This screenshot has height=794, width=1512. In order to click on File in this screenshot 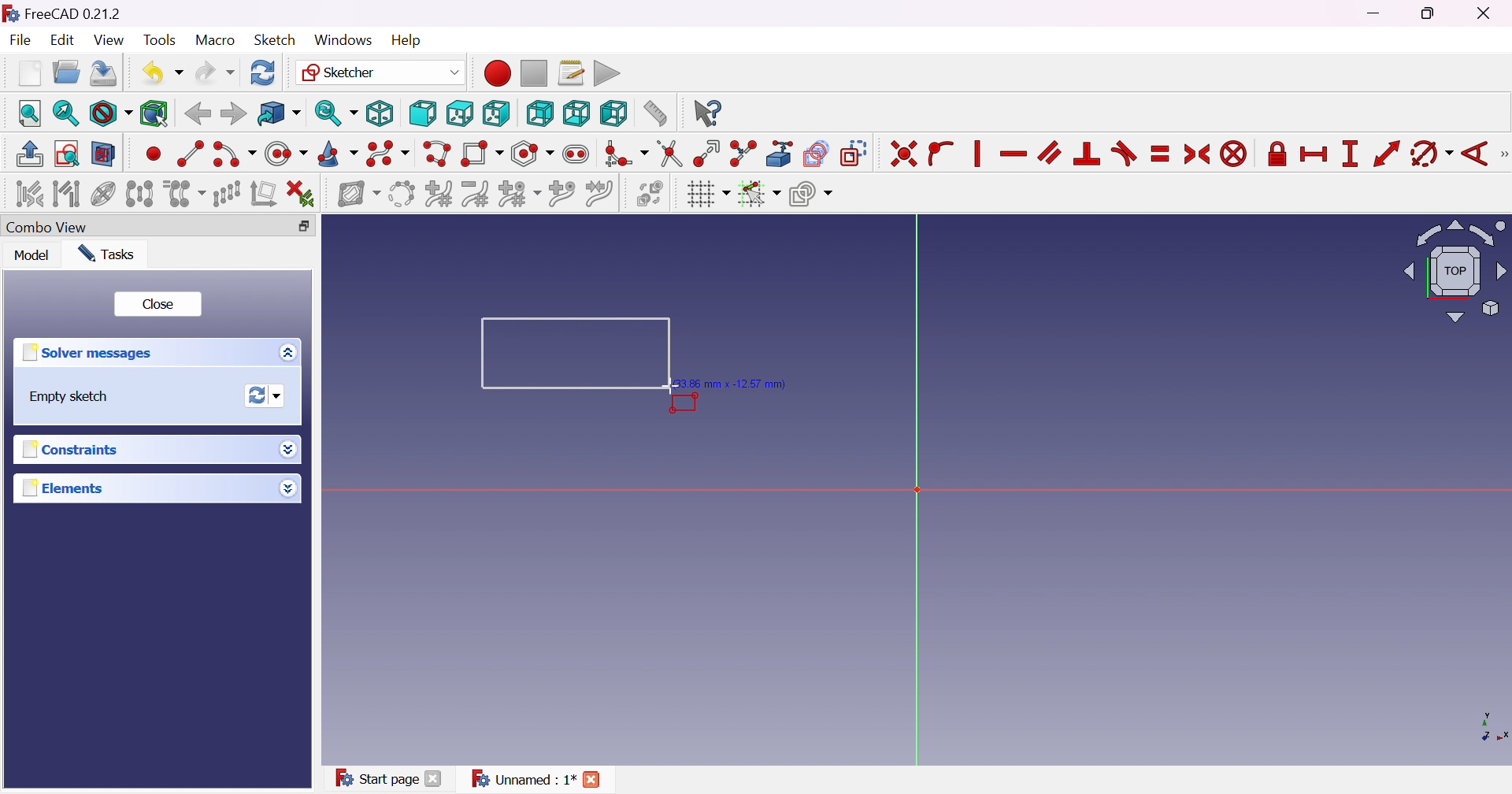, I will do `click(20, 39)`.